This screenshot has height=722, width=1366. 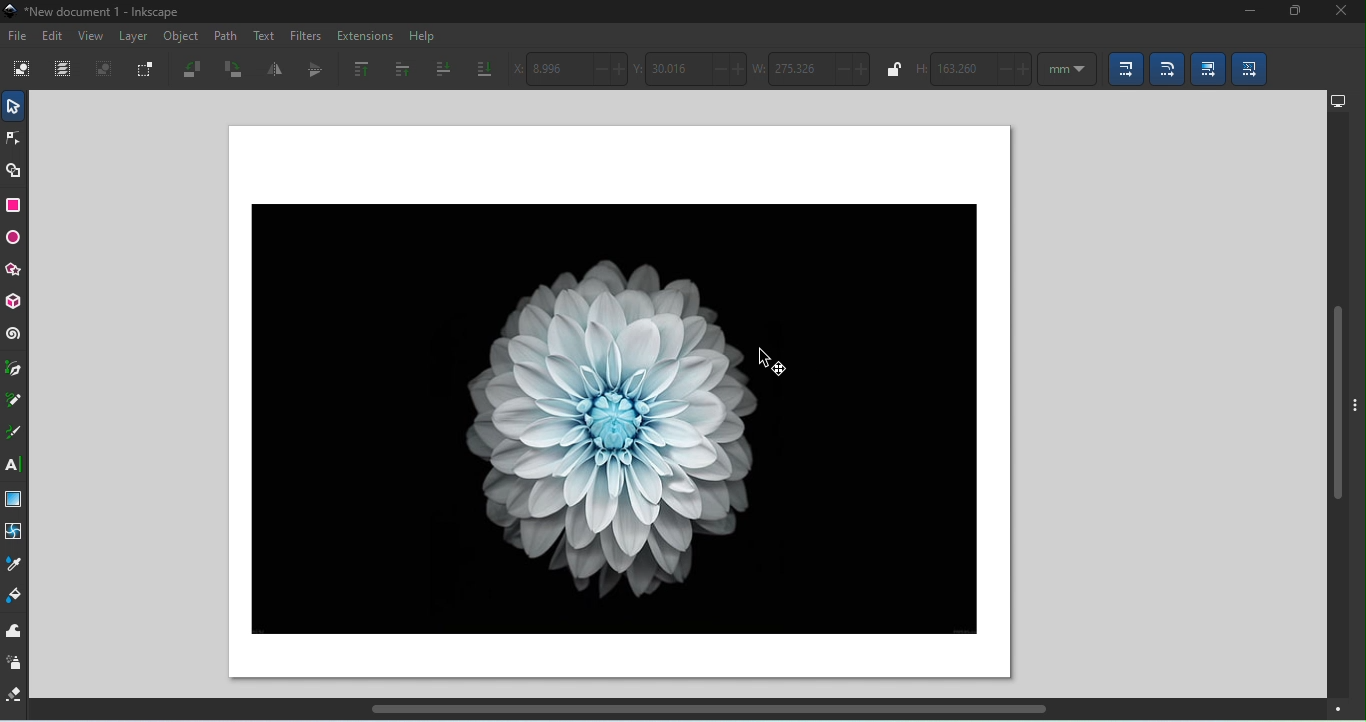 What do you see at coordinates (94, 12) in the screenshot?
I see `File name` at bounding box center [94, 12].